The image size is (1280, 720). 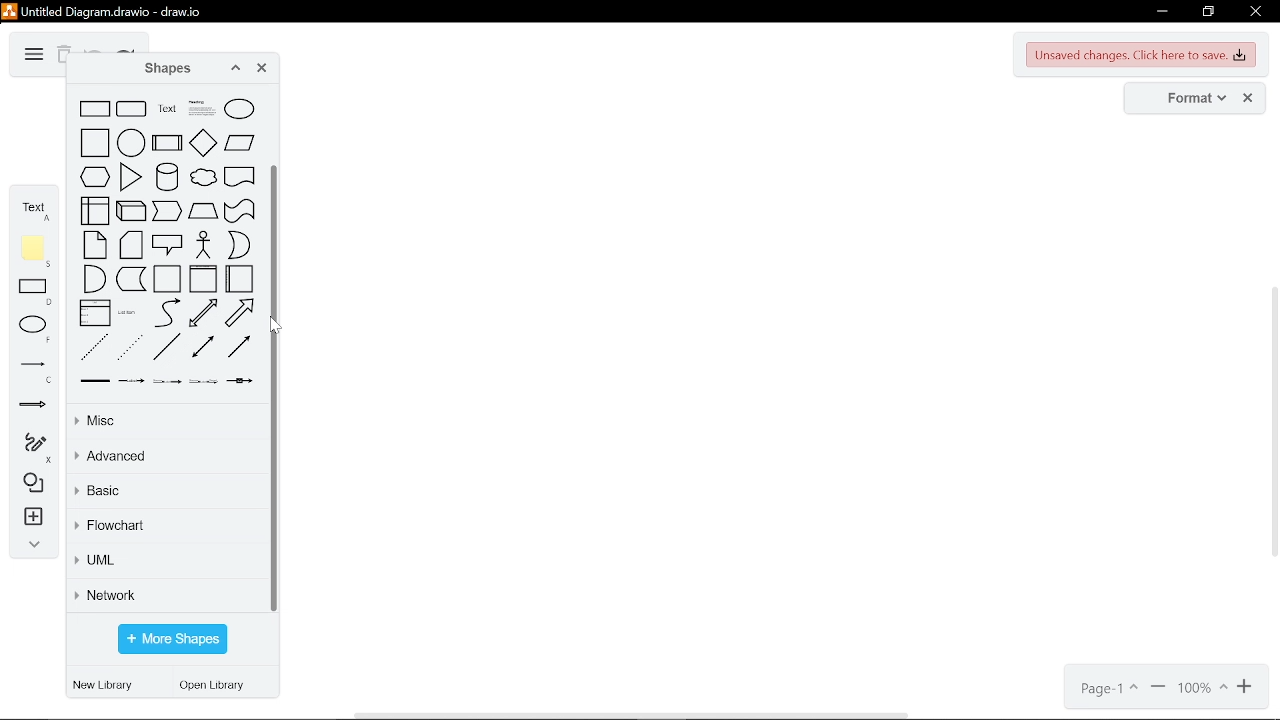 What do you see at coordinates (131, 211) in the screenshot?
I see `cube` at bounding box center [131, 211].